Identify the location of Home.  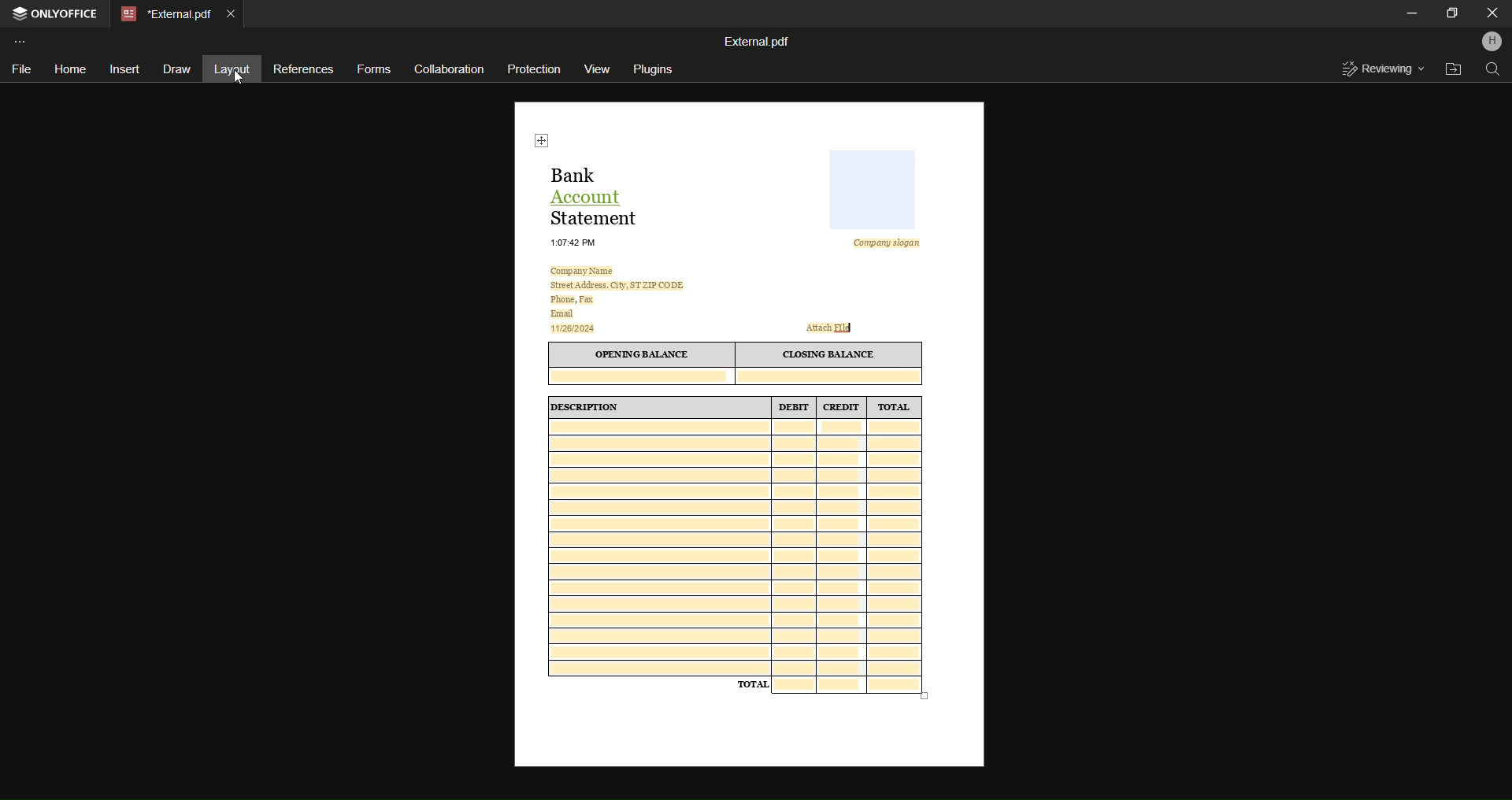
(71, 70).